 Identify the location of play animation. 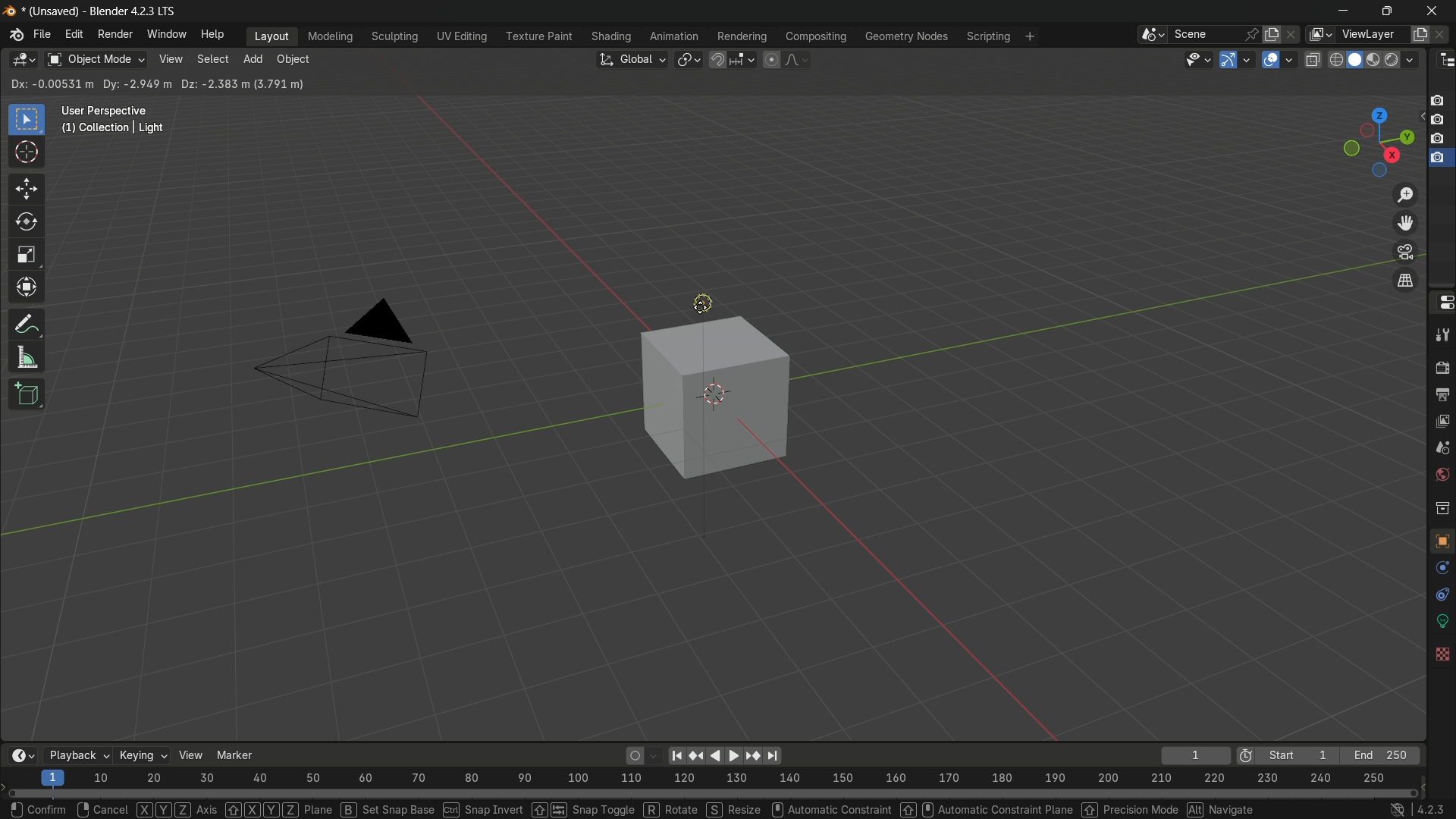
(748, 755).